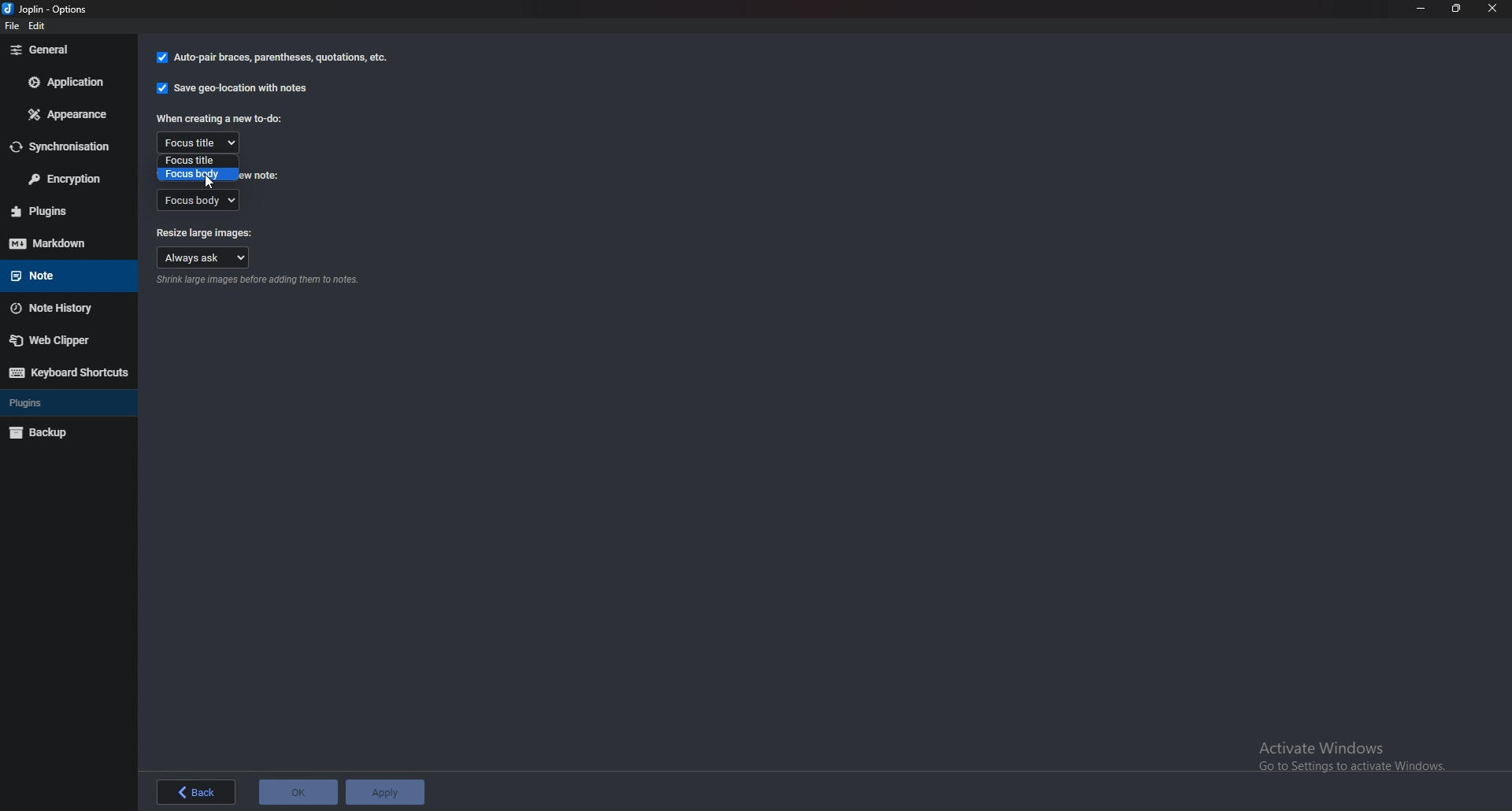 This screenshot has width=1512, height=811. What do you see at coordinates (198, 160) in the screenshot?
I see `Focus title` at bounding box center [198, 160].